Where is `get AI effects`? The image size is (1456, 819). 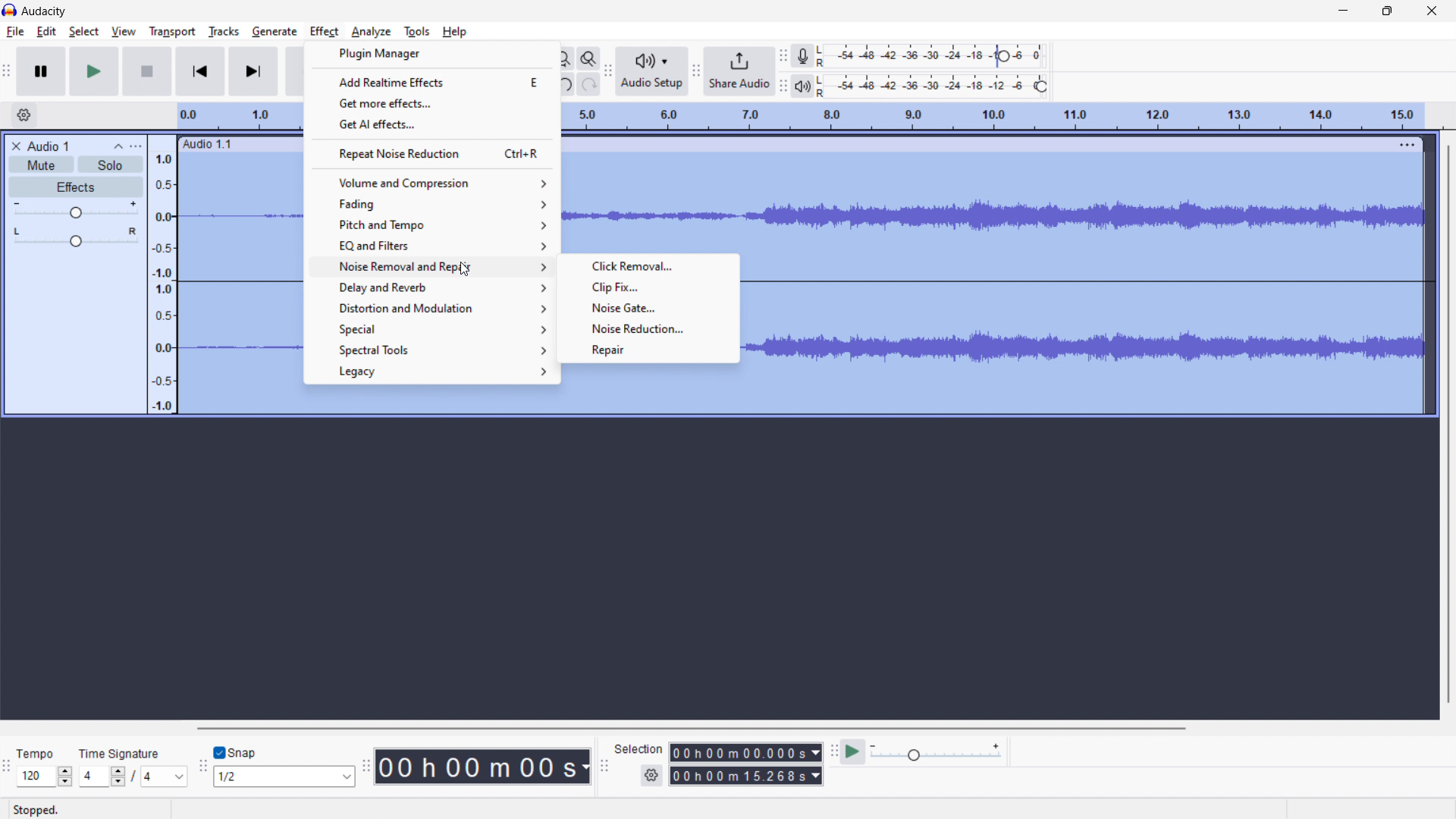
get AI effects is located at coordinates (431, 124).